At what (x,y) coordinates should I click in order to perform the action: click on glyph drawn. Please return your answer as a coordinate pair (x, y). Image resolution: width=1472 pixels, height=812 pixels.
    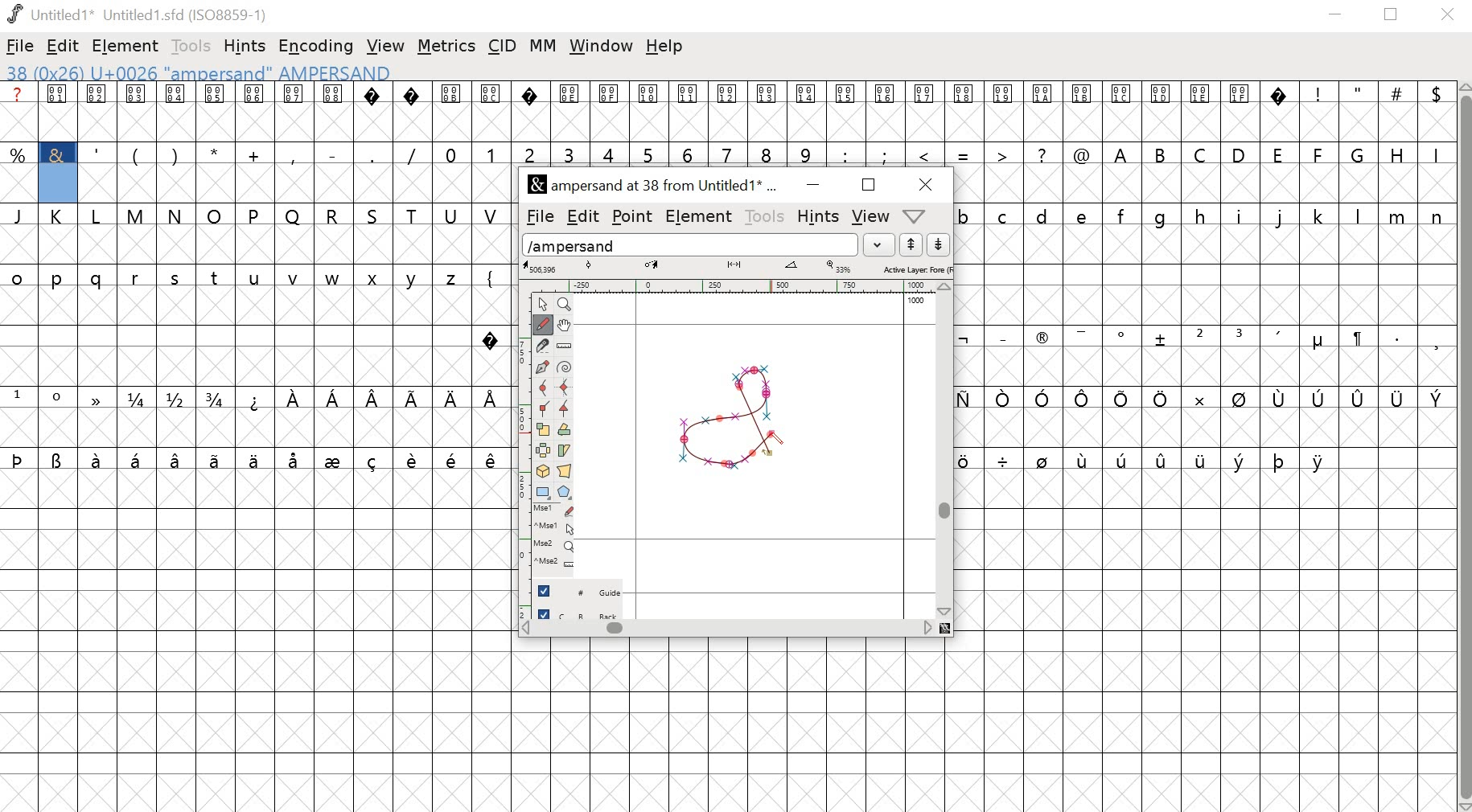
    Looking at the image, I should click on (730, 420).